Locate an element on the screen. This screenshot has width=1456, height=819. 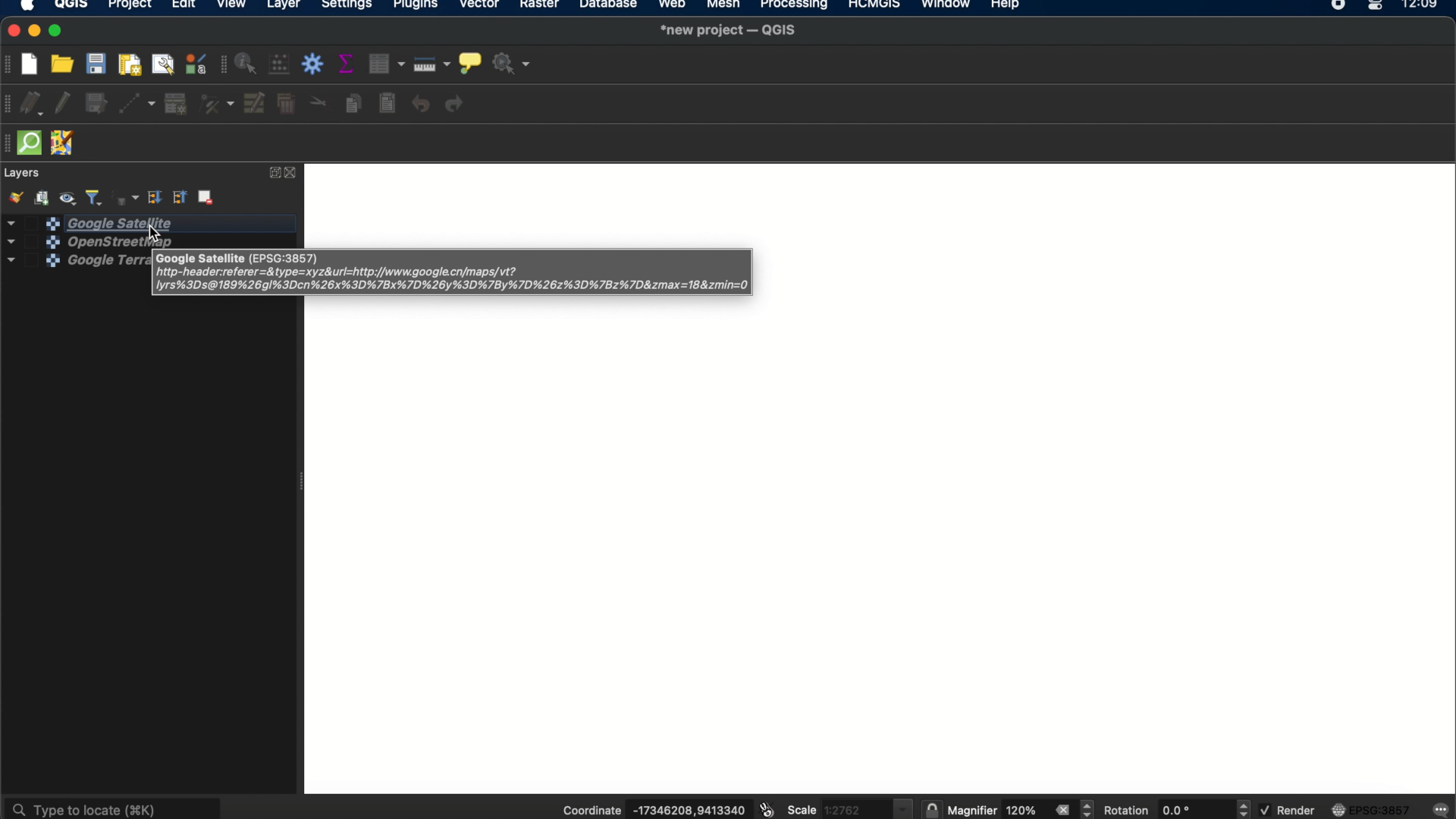
redo is located at coordinates (458, 105).